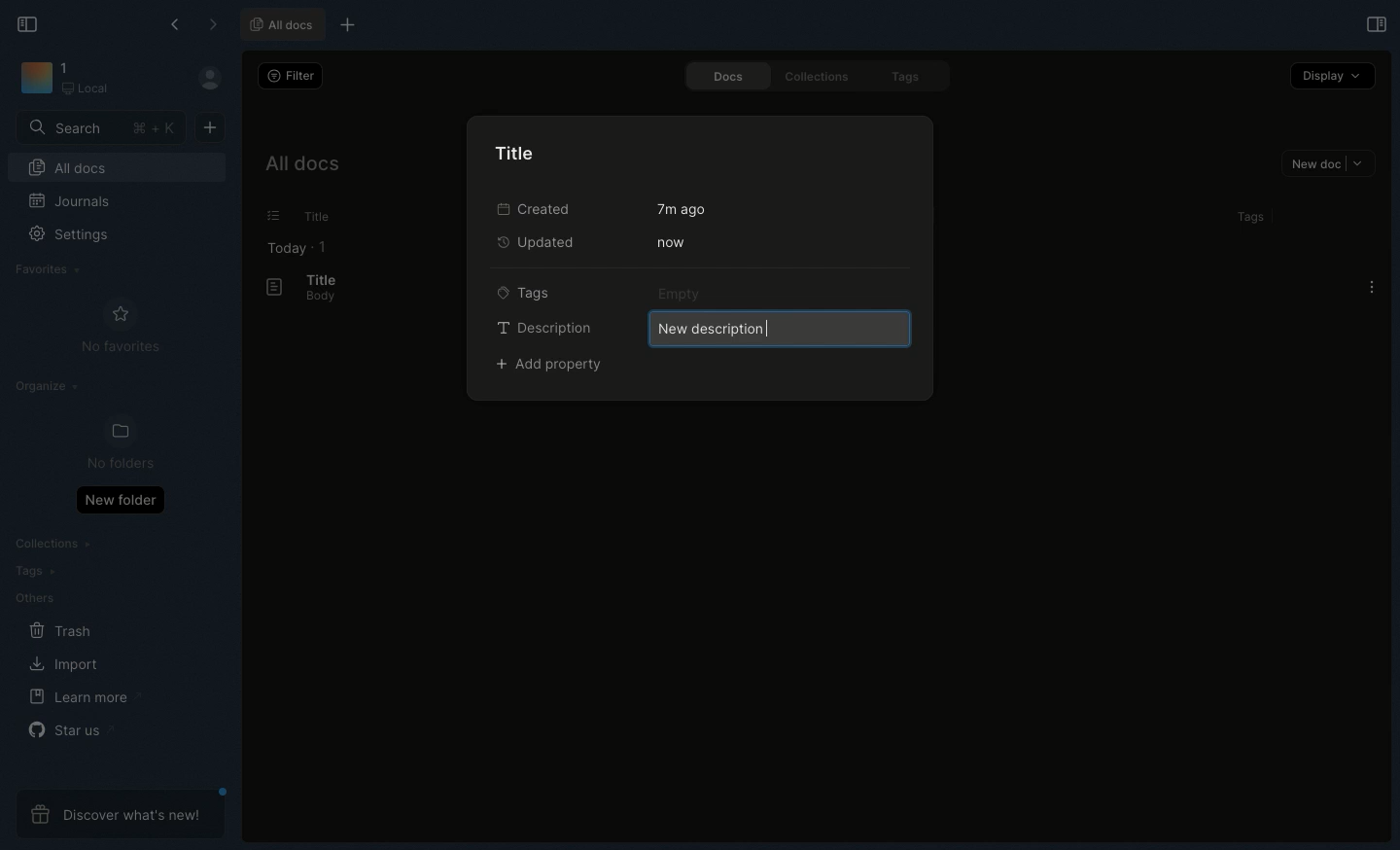  I want to click on Trash, so click(61, 631).